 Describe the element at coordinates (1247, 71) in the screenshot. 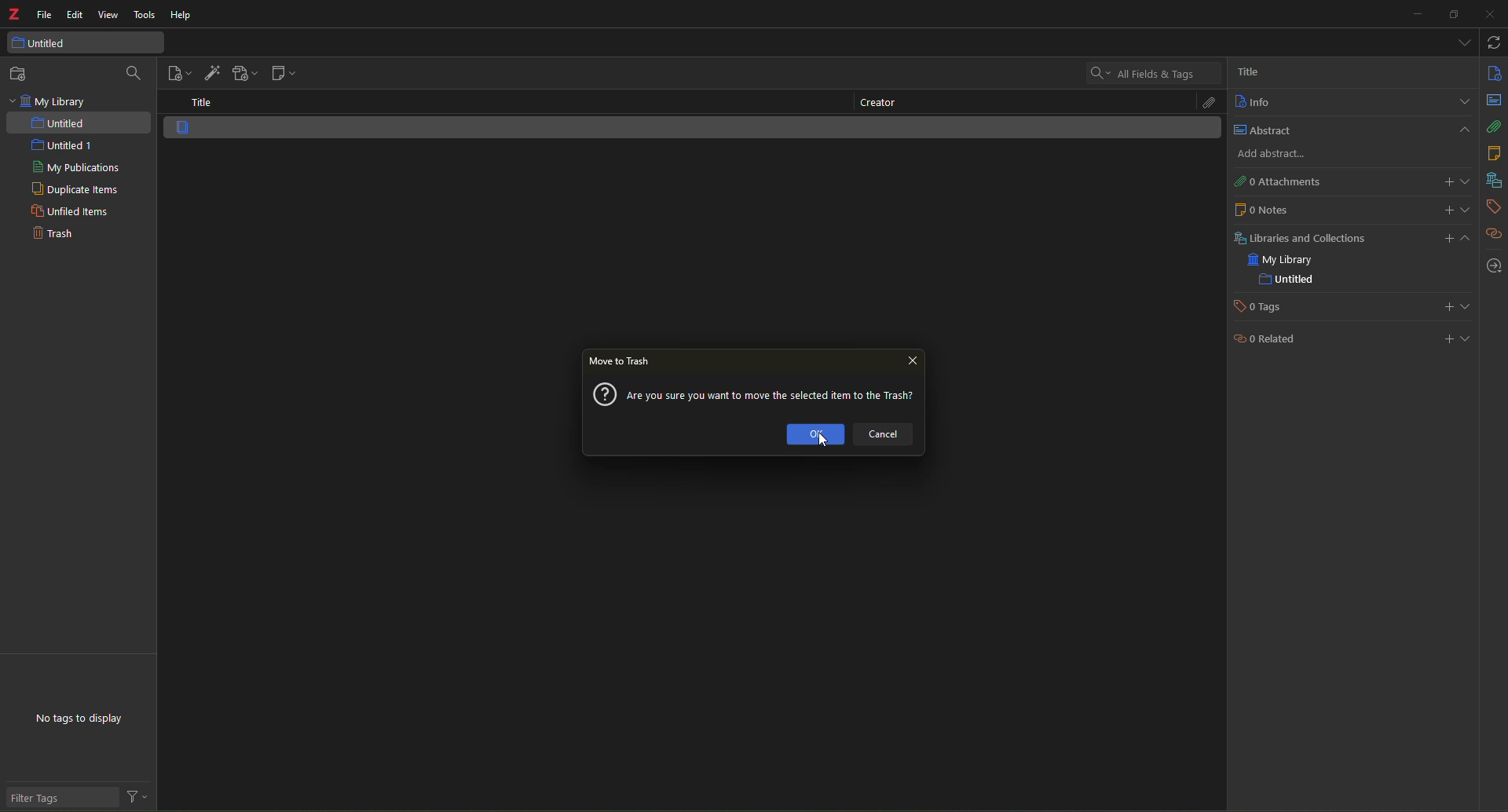

I see `title` at that location.